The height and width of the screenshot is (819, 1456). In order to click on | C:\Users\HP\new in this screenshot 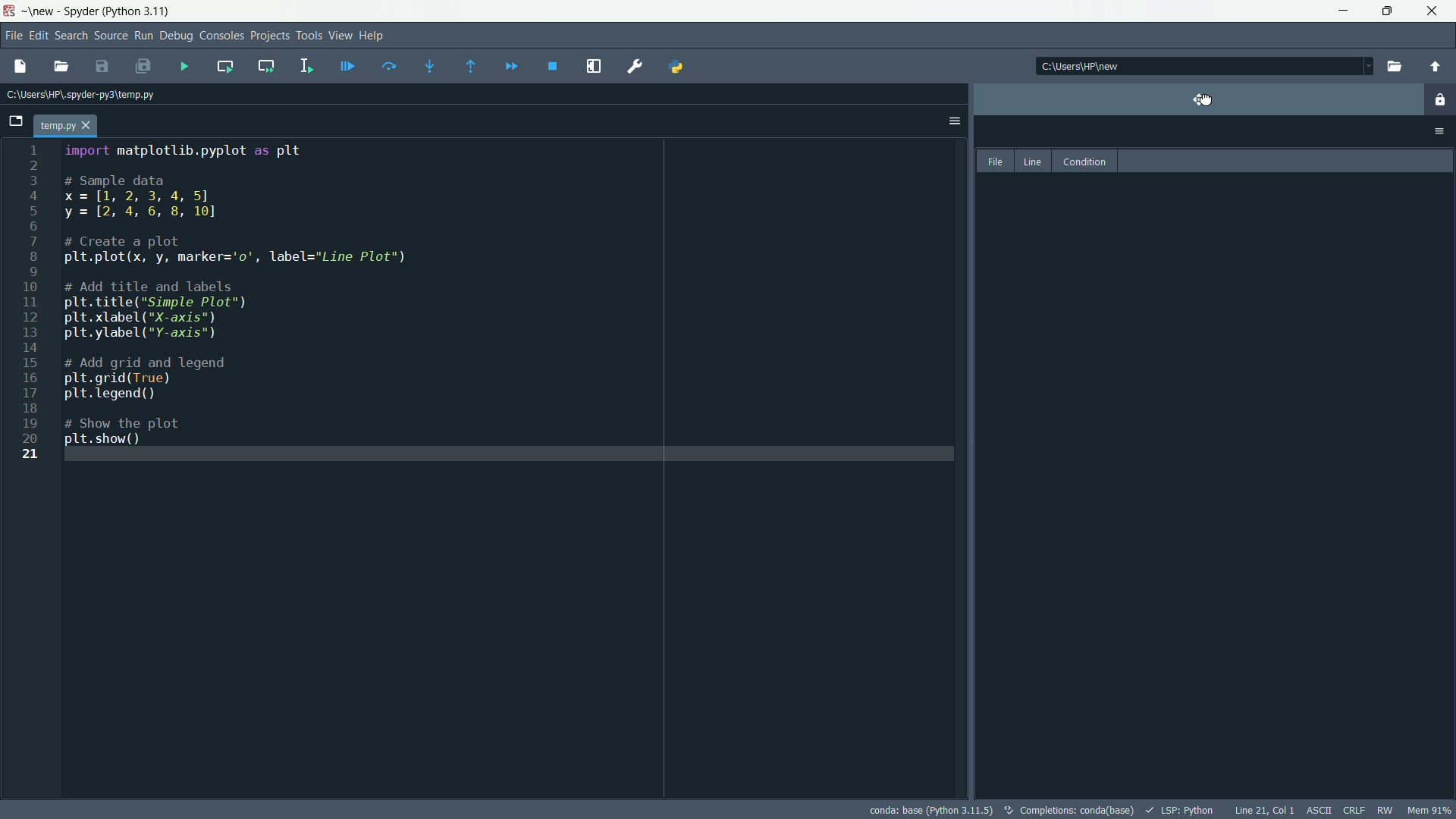, I will do `click(1100, 66)`.